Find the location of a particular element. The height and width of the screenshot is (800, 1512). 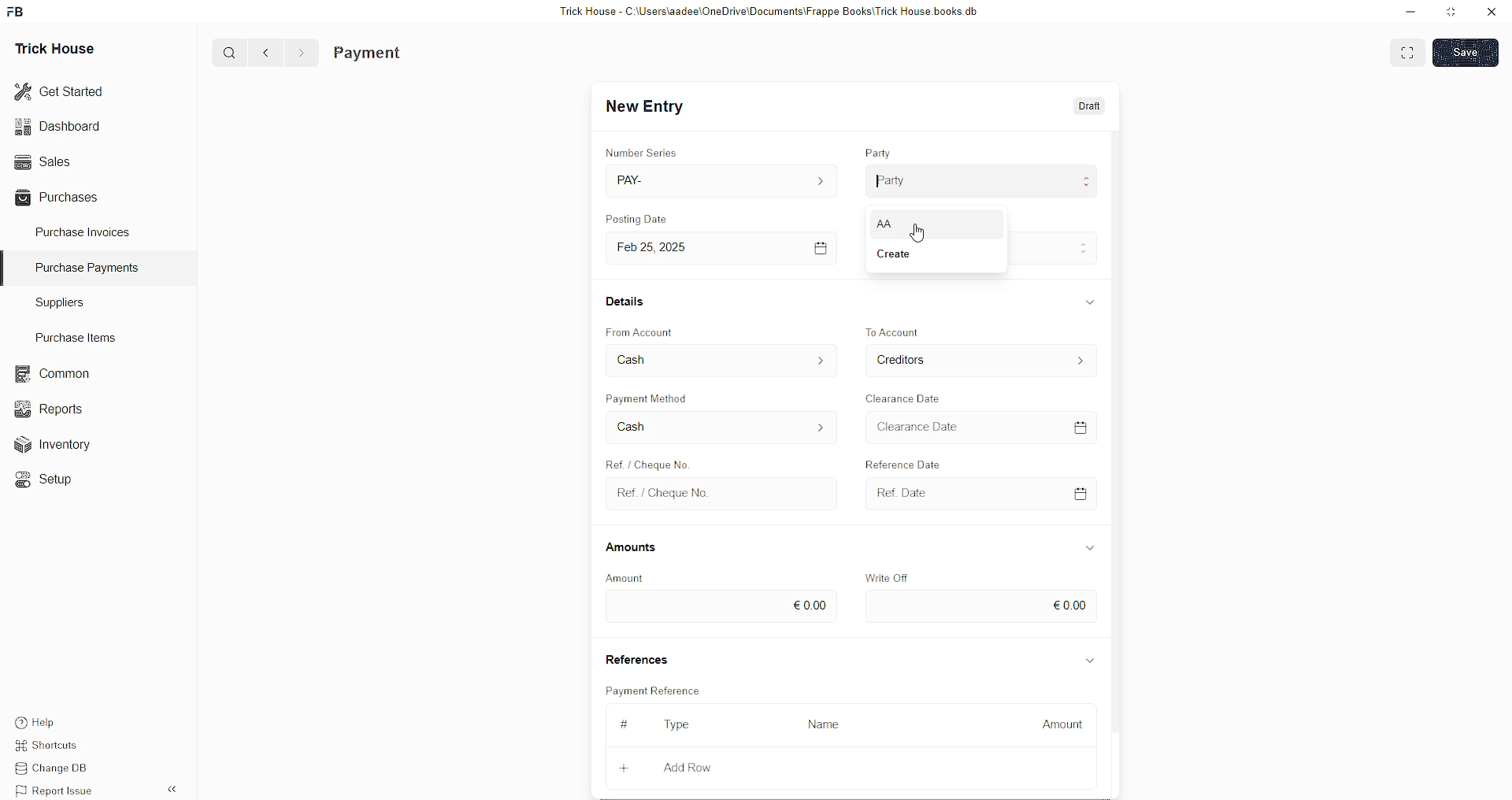

New Entry is located at coordinates (649, 107).